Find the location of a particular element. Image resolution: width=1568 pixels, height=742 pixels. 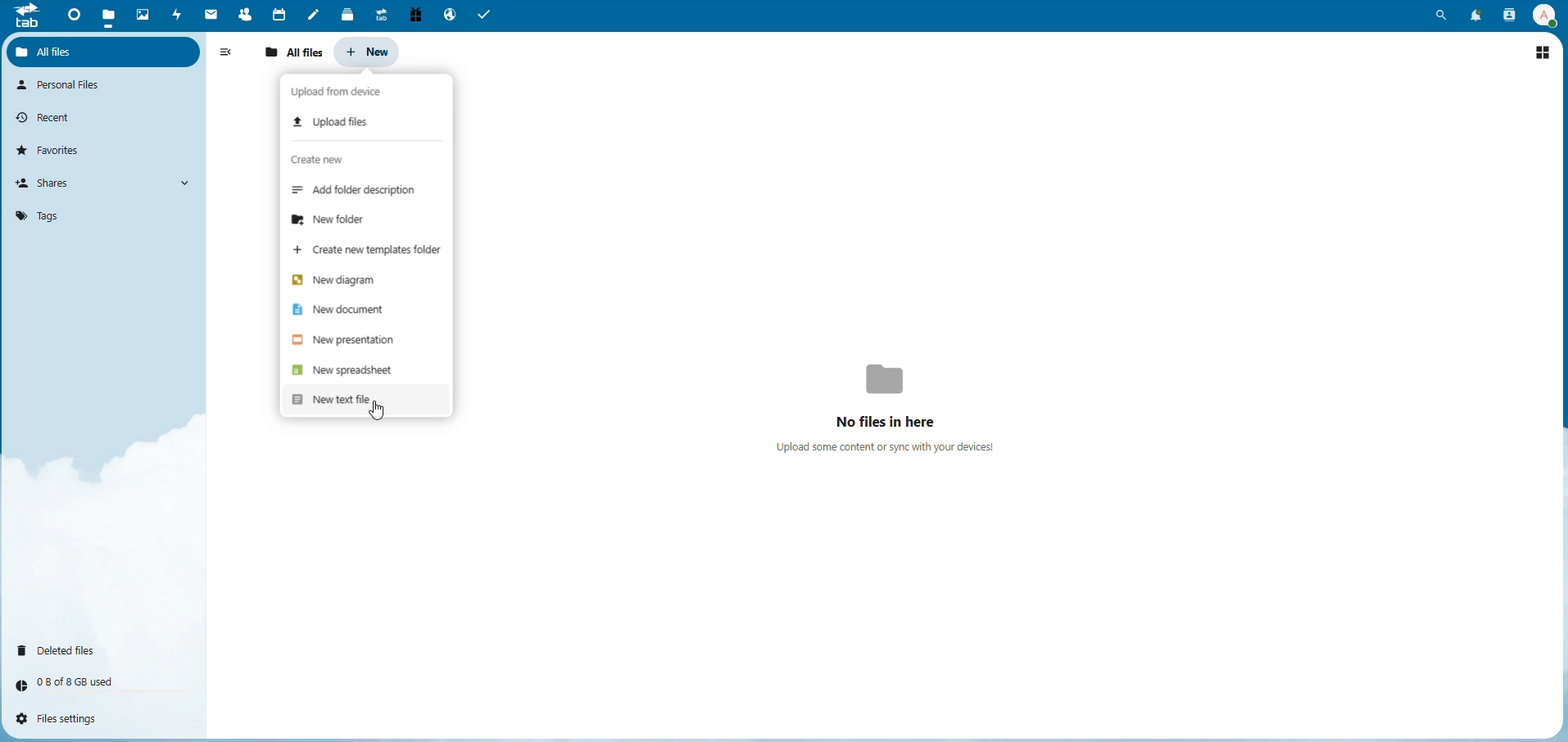

Profile is located at coordinates (1543, 14).